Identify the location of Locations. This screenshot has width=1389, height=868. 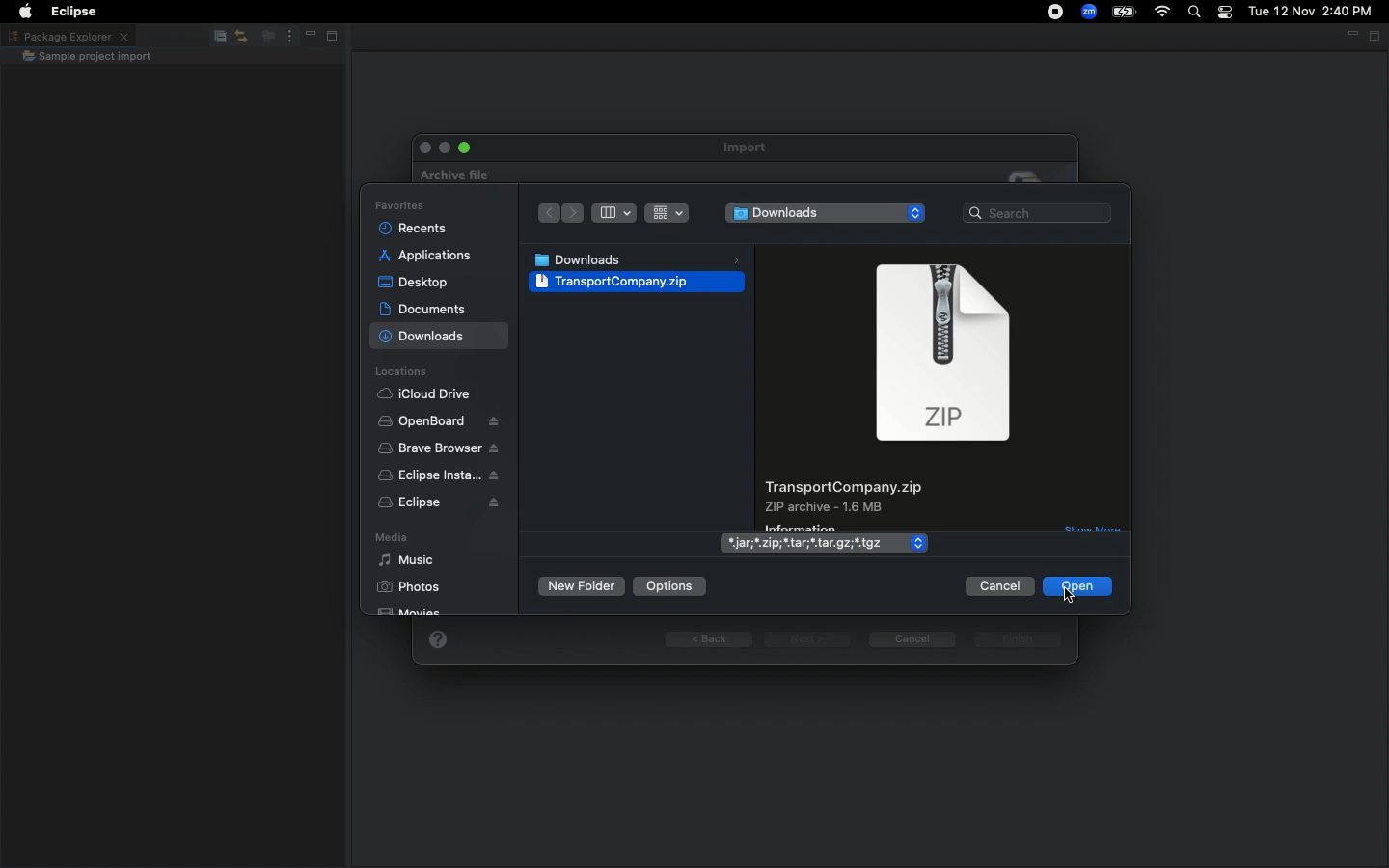
(403, 372).